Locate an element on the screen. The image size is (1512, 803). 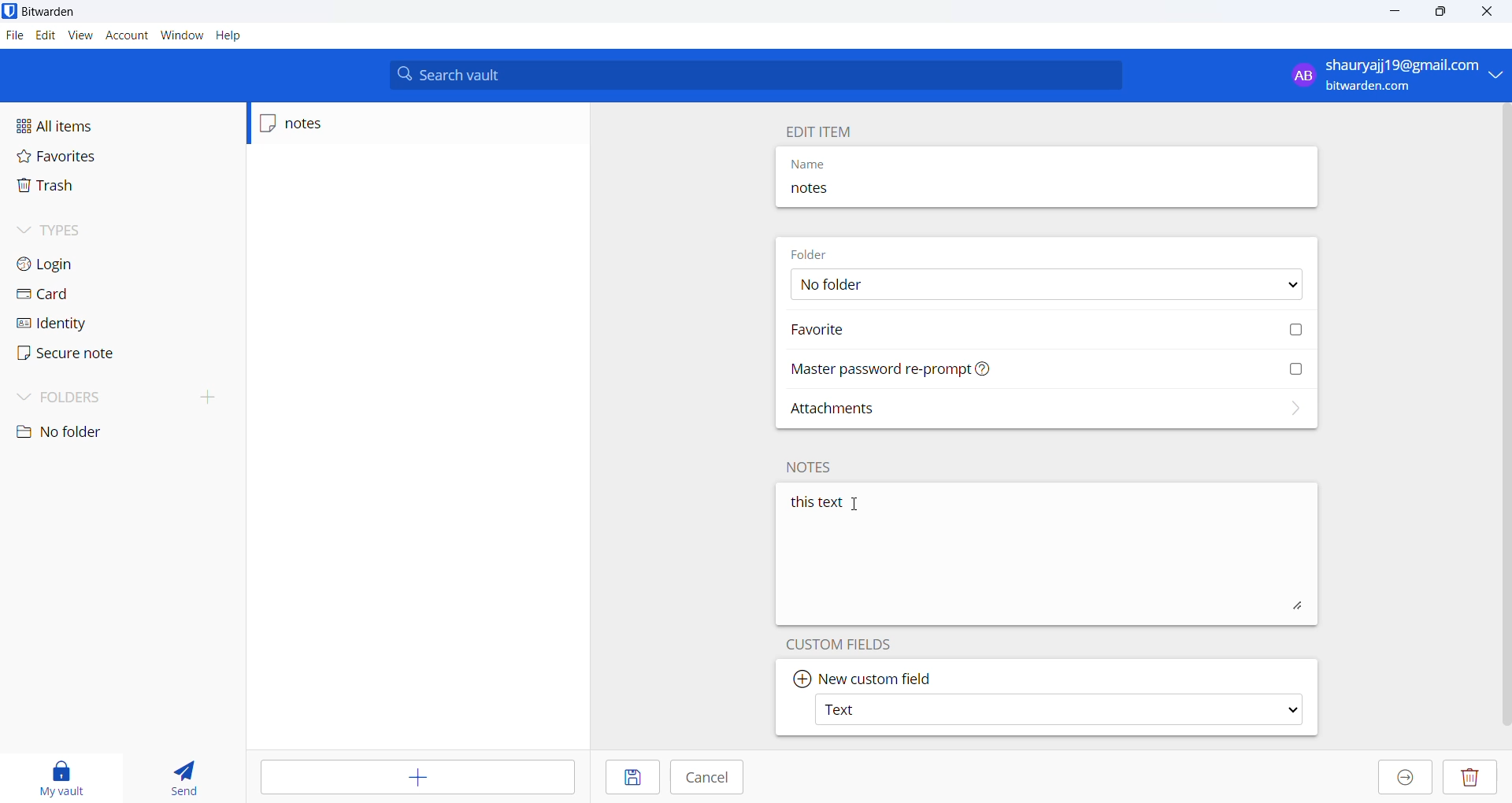
this text is located at coordinates (1048, 557).